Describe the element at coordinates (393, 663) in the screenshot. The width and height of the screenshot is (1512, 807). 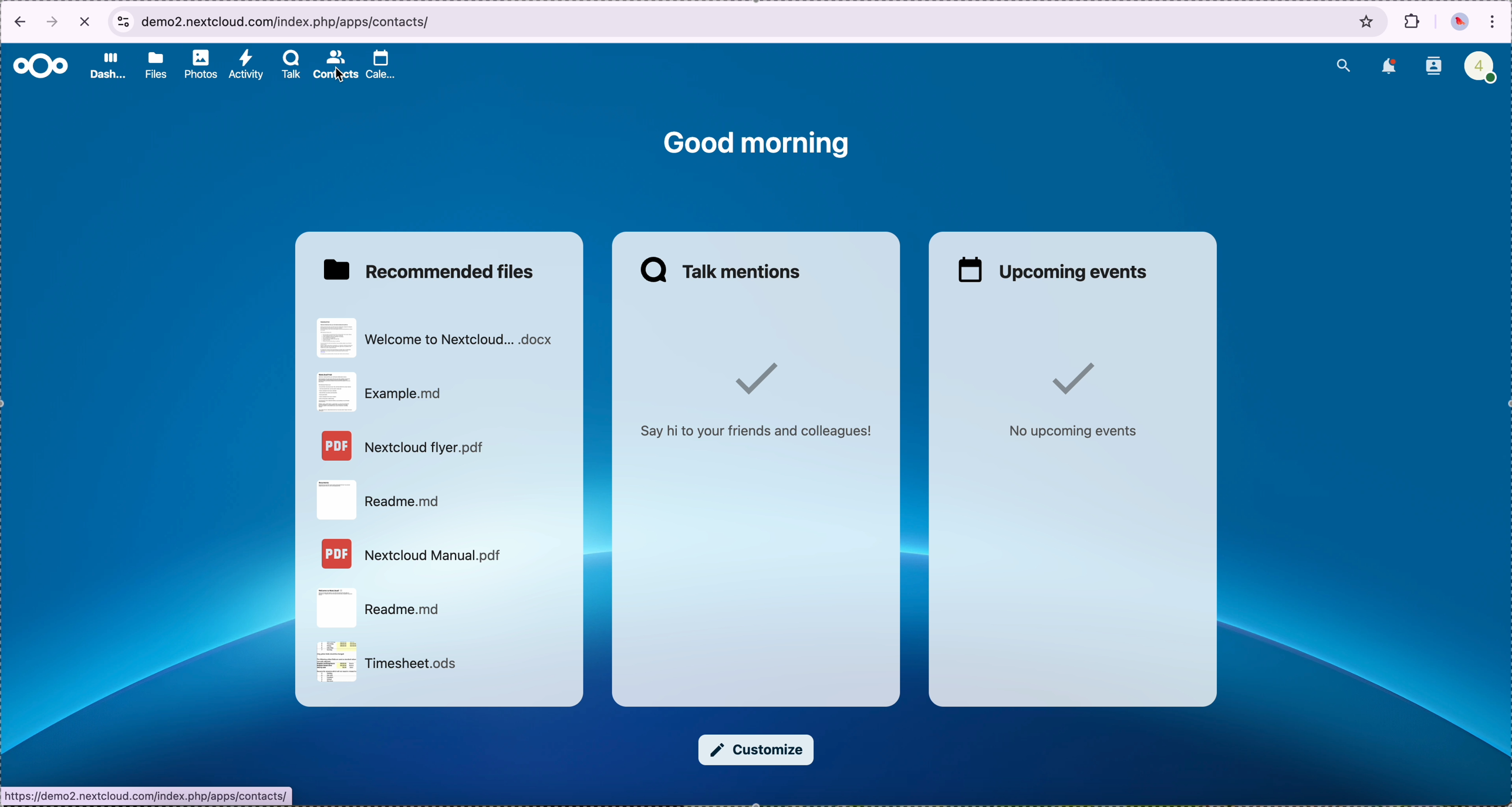
I see `file` at that location.